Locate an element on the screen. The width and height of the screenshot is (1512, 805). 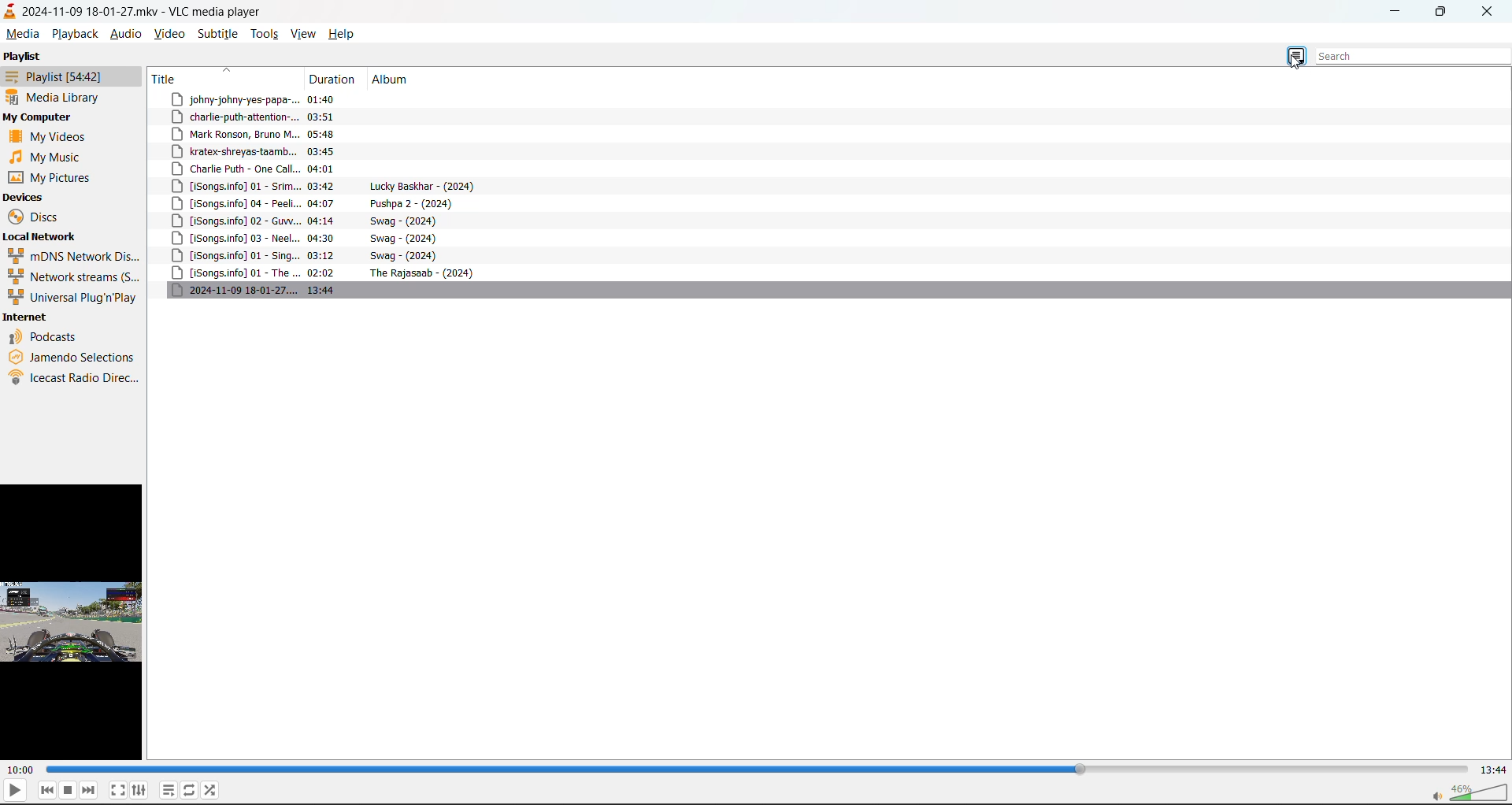
mdns network is located at coordinates (76, 256).